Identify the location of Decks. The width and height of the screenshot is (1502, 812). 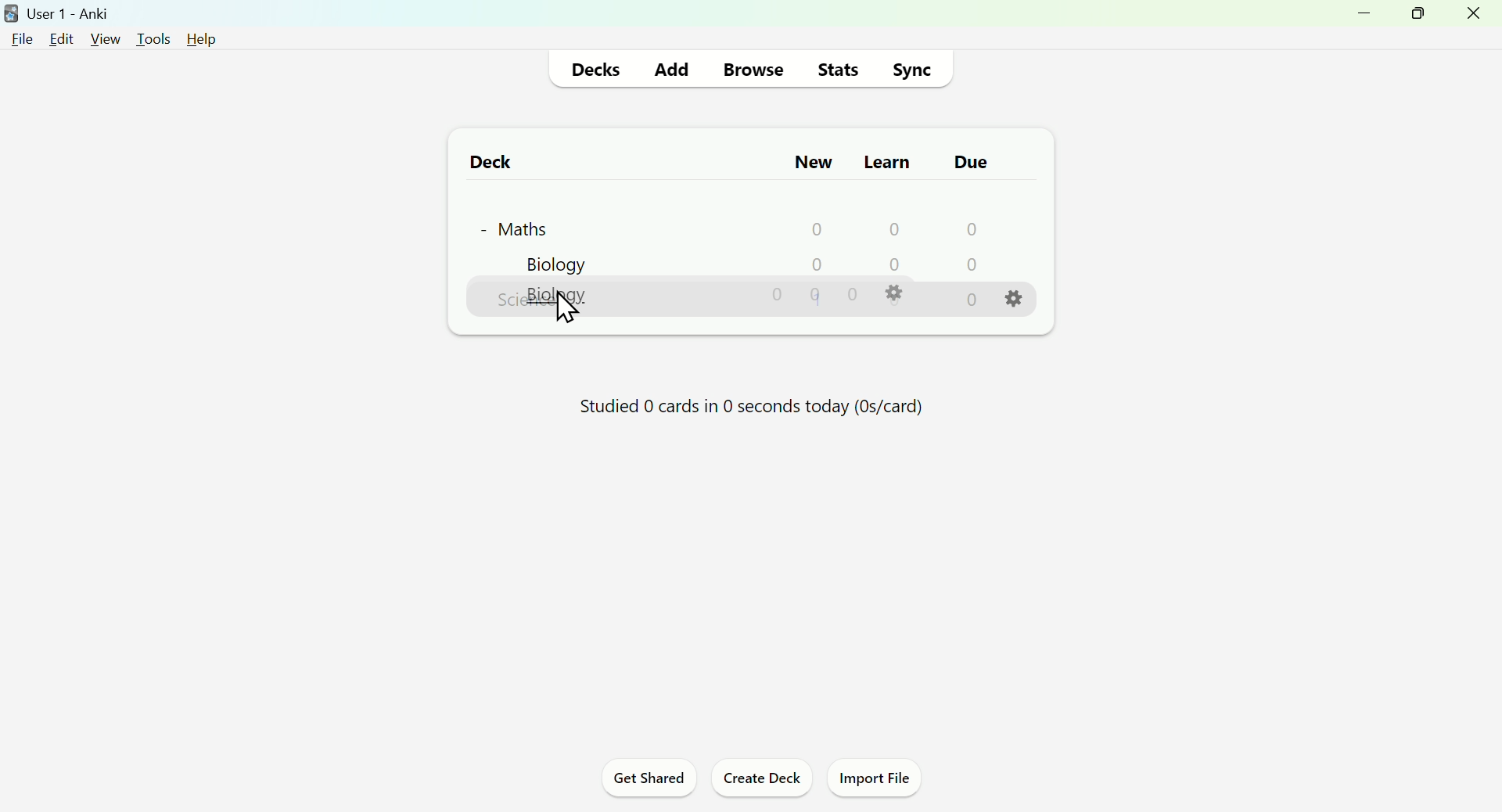
(596, 70).